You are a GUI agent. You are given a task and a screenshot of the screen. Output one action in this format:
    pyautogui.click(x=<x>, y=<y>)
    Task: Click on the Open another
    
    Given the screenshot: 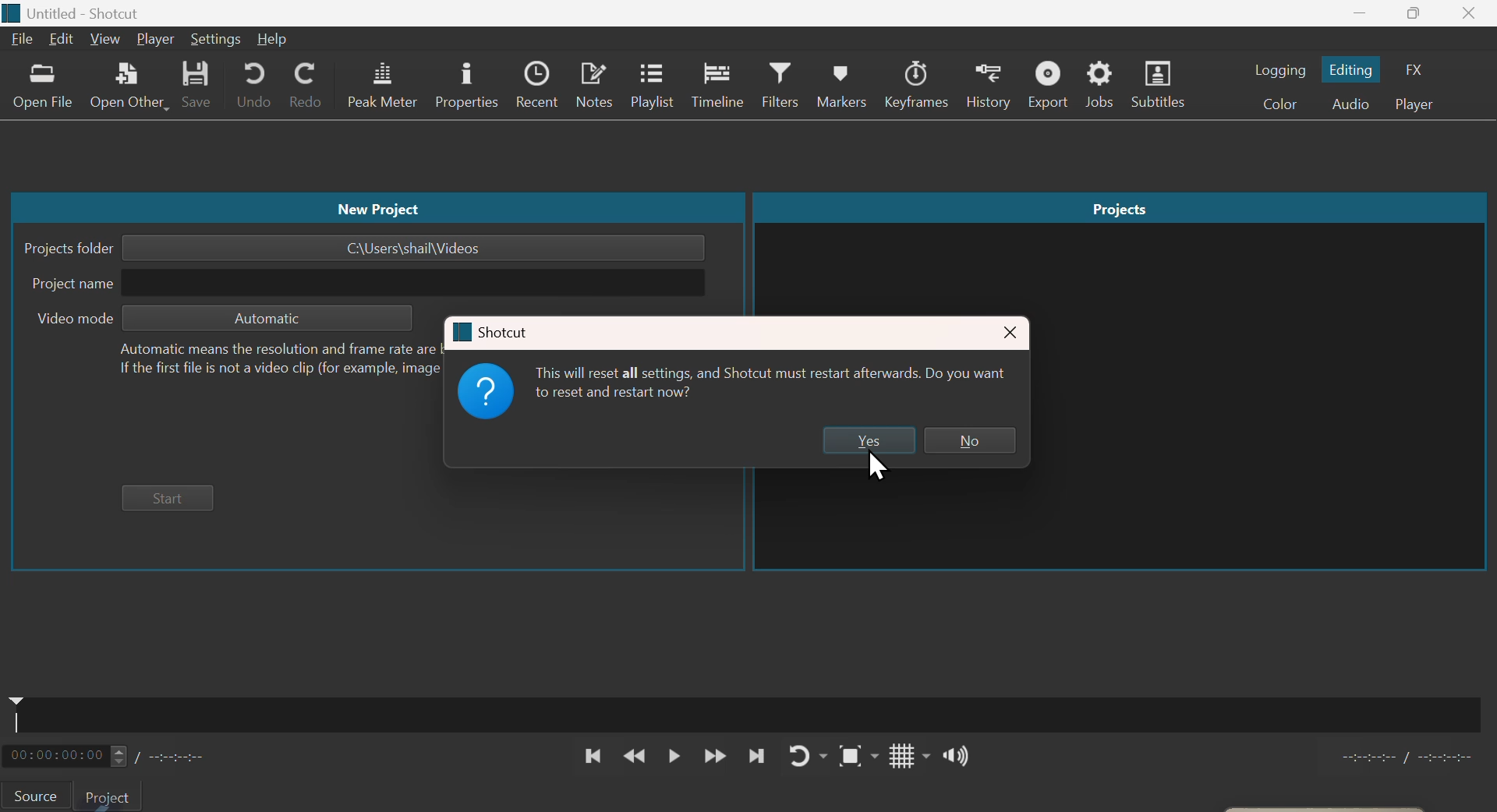 What is the action you would take?
    pyautogui.click(x=129, y=90)
    